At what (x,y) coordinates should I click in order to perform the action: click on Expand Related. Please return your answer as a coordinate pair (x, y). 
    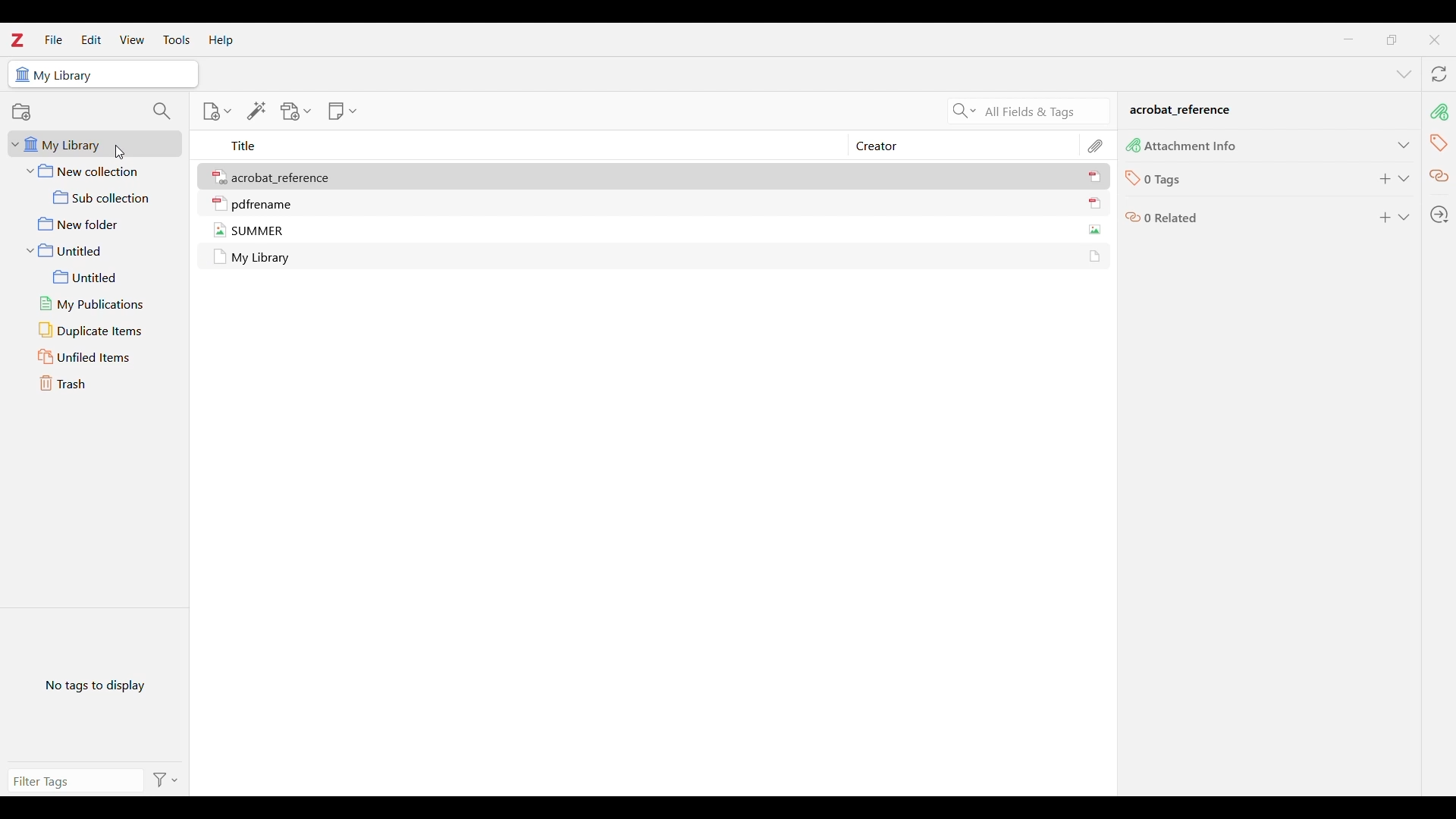
    Looking at the image, I should click on (1404, 217).